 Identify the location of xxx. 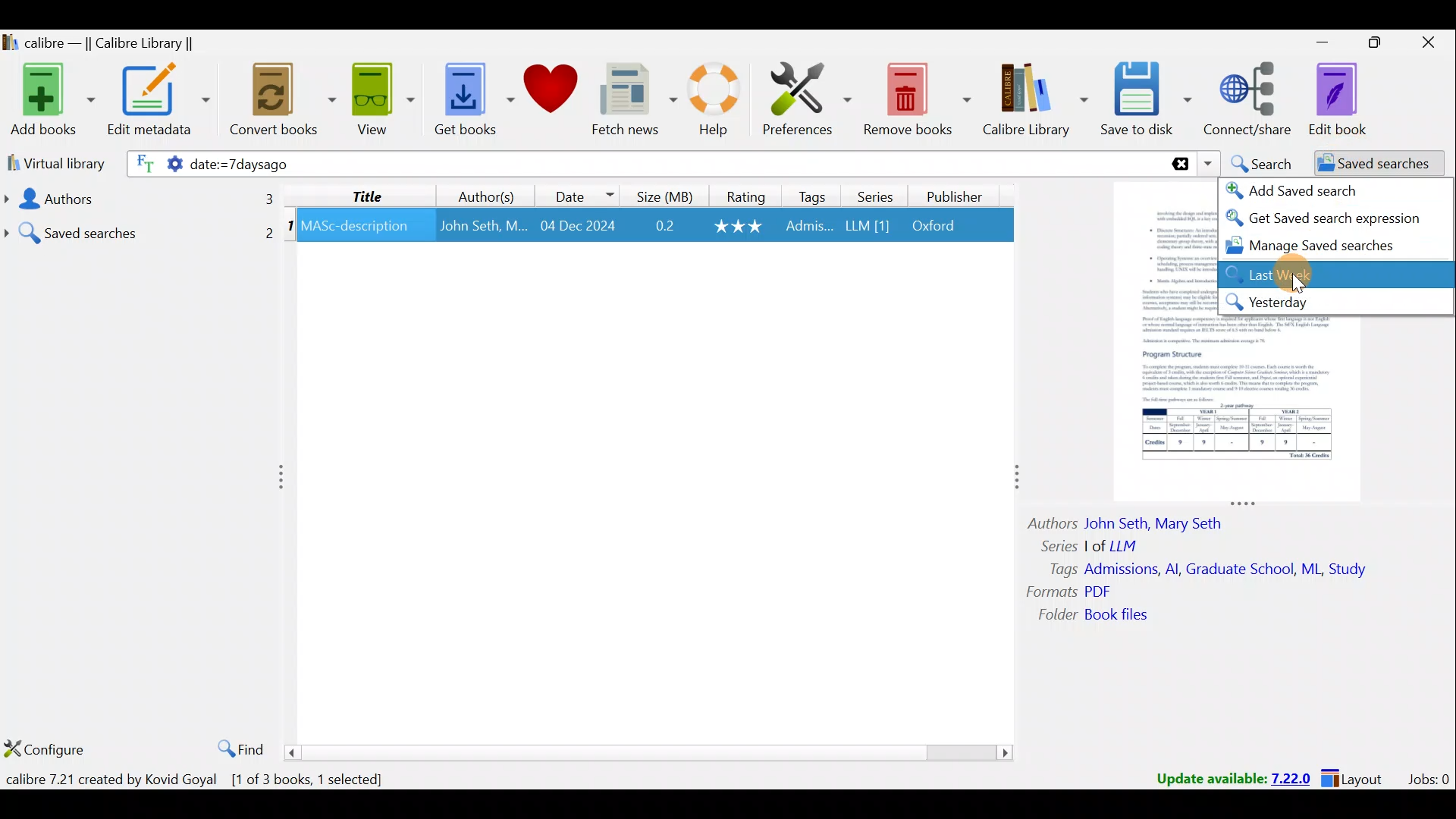
(740, 226).